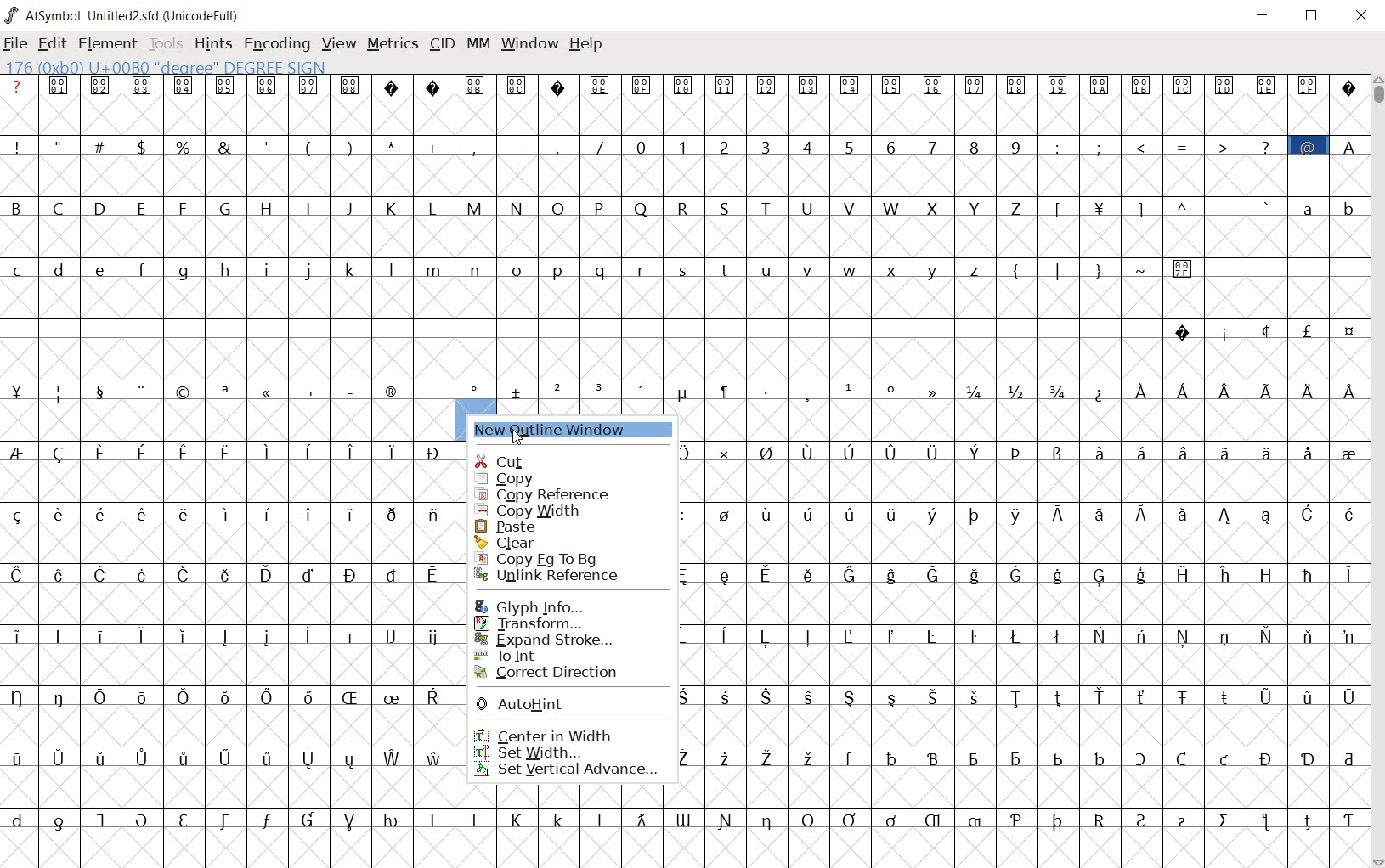 The height and width of the screenshot is (868, 1385). What do you see at coordinates (478, 44) in the screenshot?
I see `mm` at bounding box center [478, 44].